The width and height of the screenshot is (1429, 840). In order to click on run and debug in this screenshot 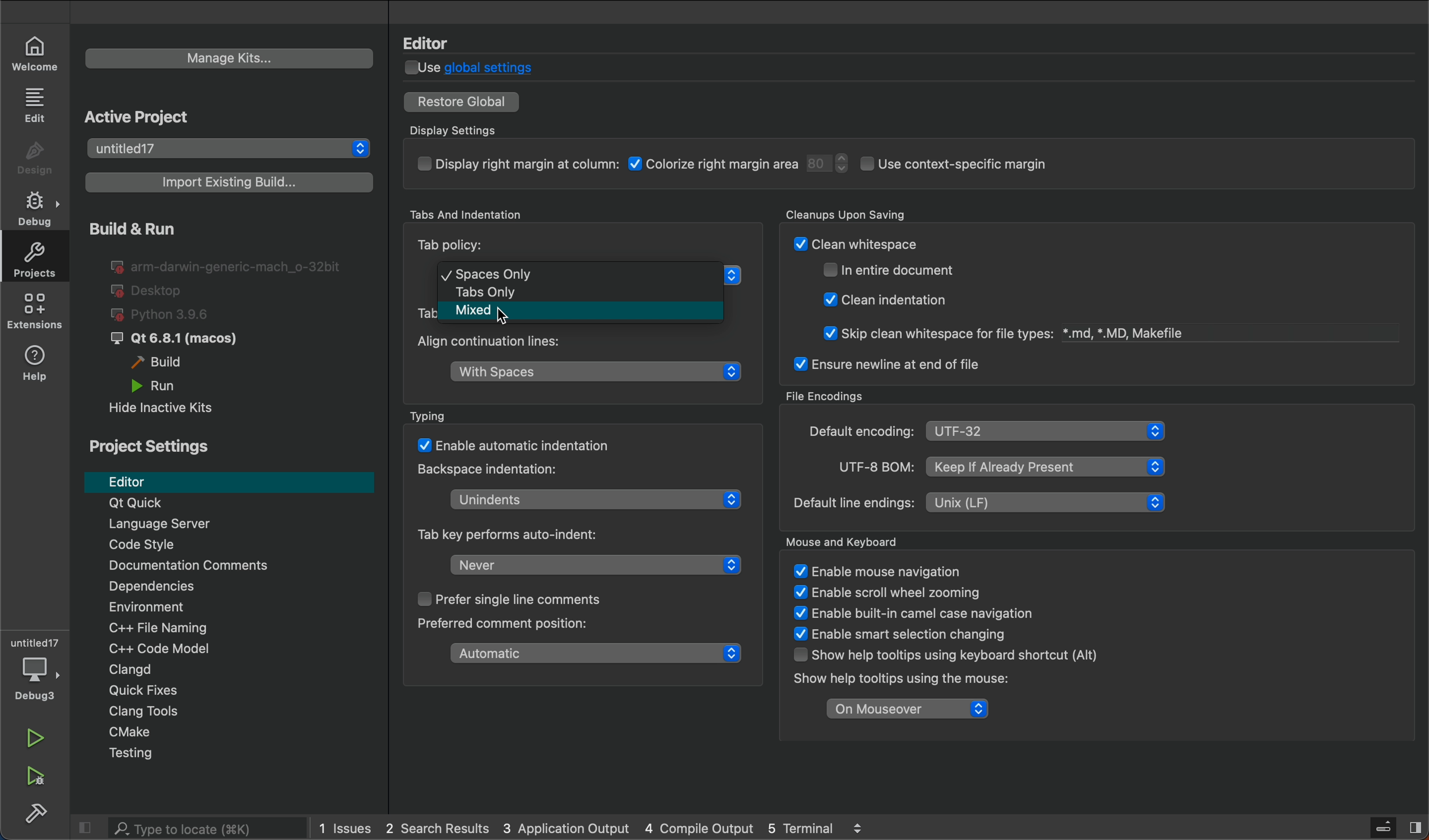, I will do `click(32, 781)`.